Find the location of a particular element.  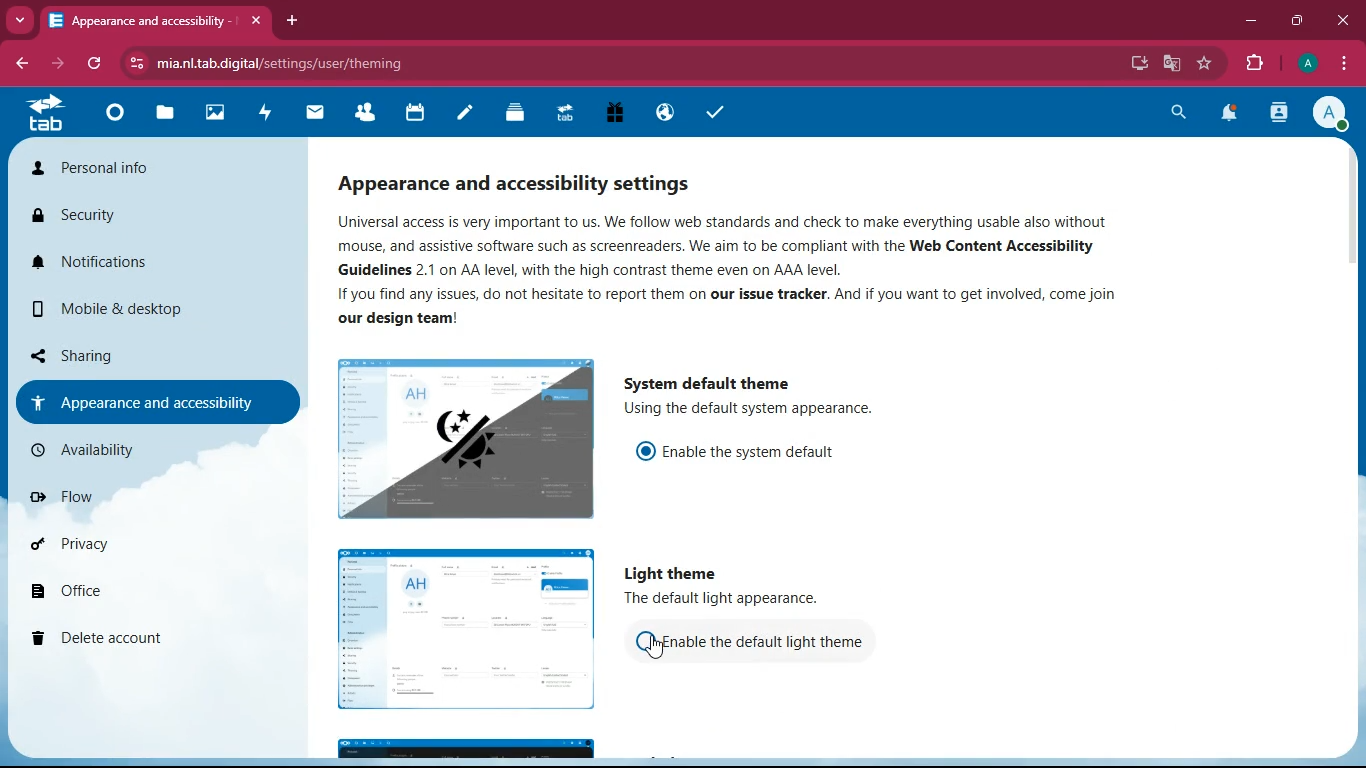

google translate is located at coordinates (1170, 64).